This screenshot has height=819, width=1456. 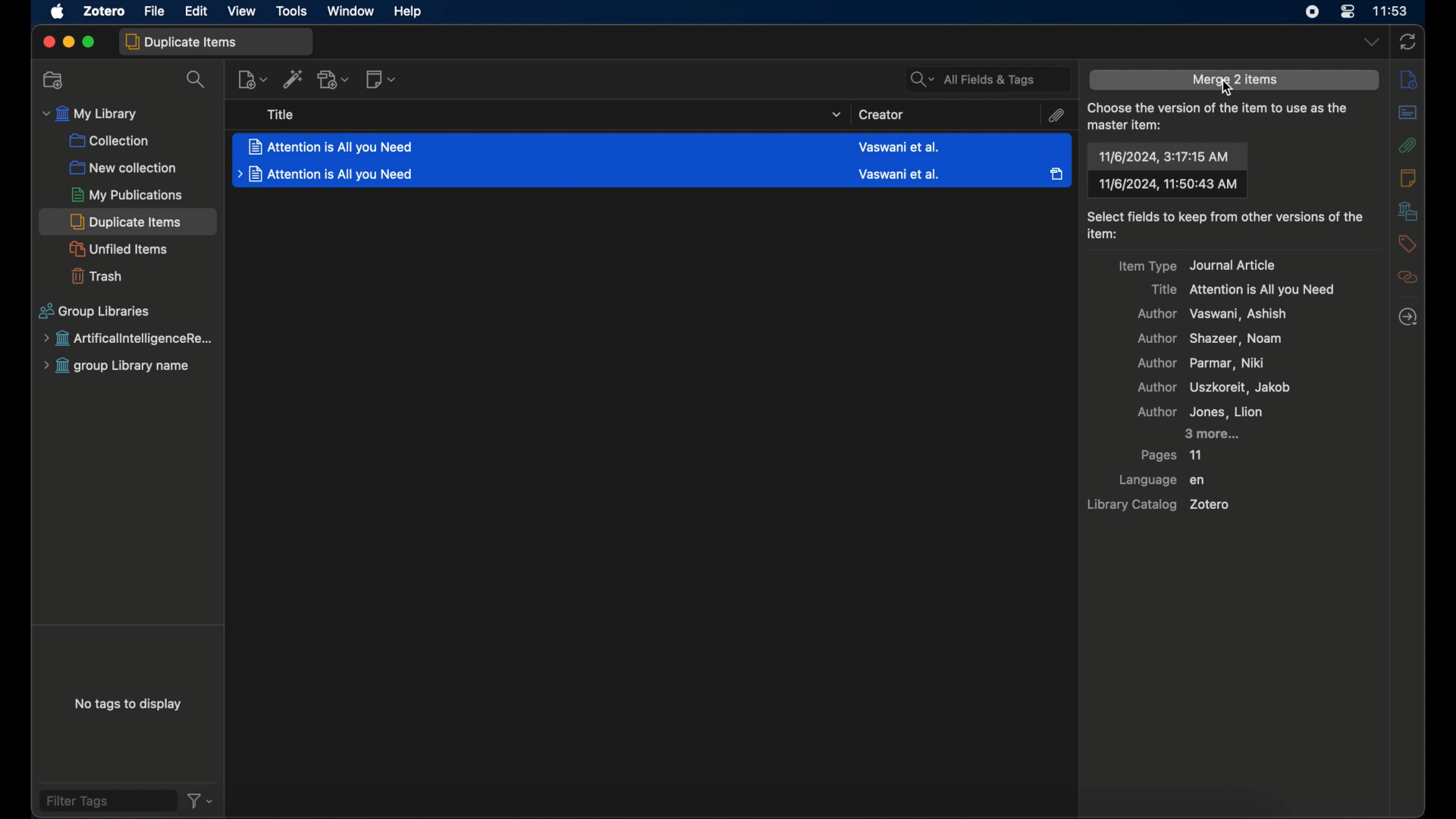 I want to click on File, so click(x=328, y=174).